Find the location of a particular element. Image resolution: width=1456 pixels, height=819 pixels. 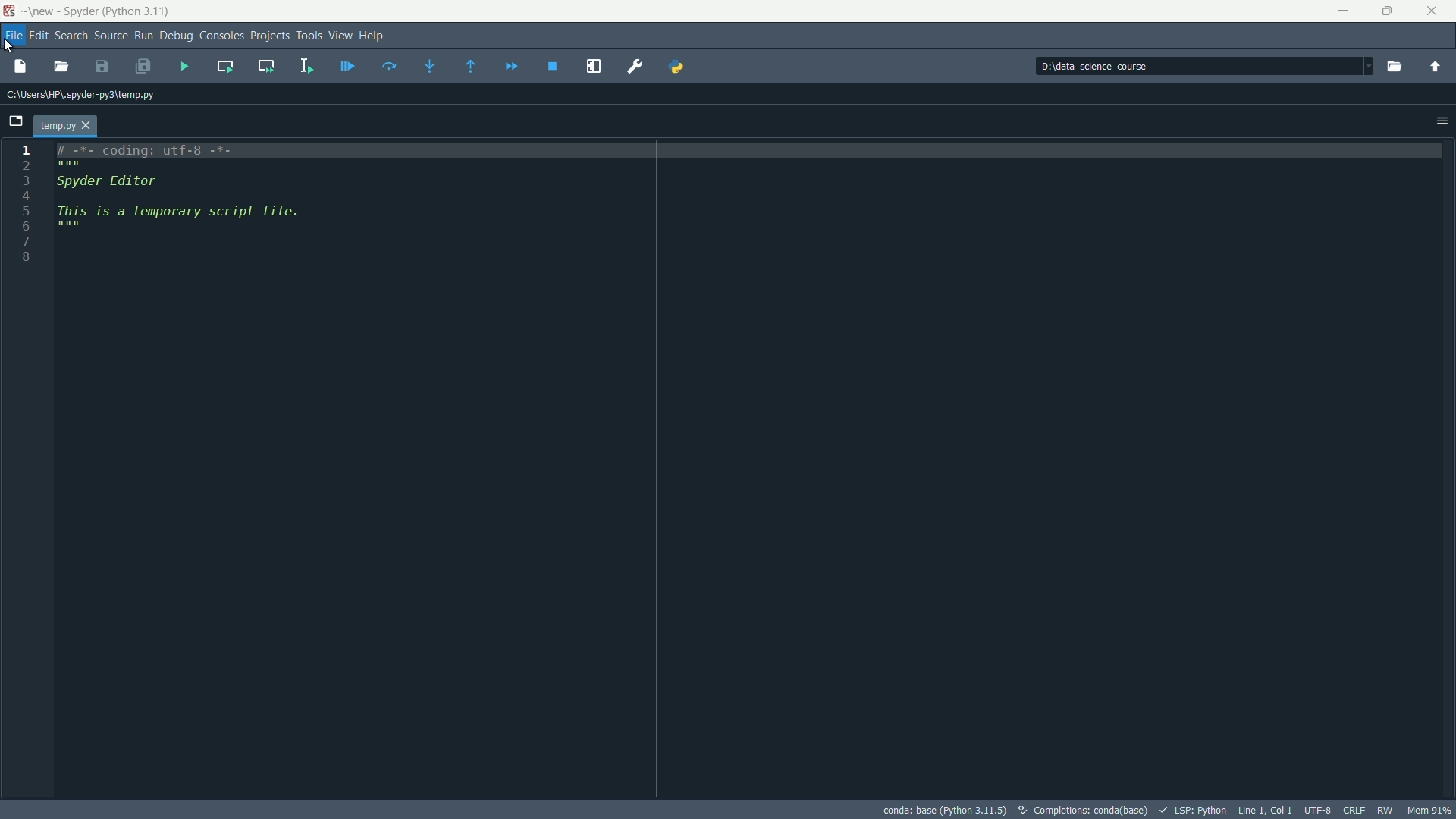

PYTHONPATH manager is located at coordinates (680, 64).